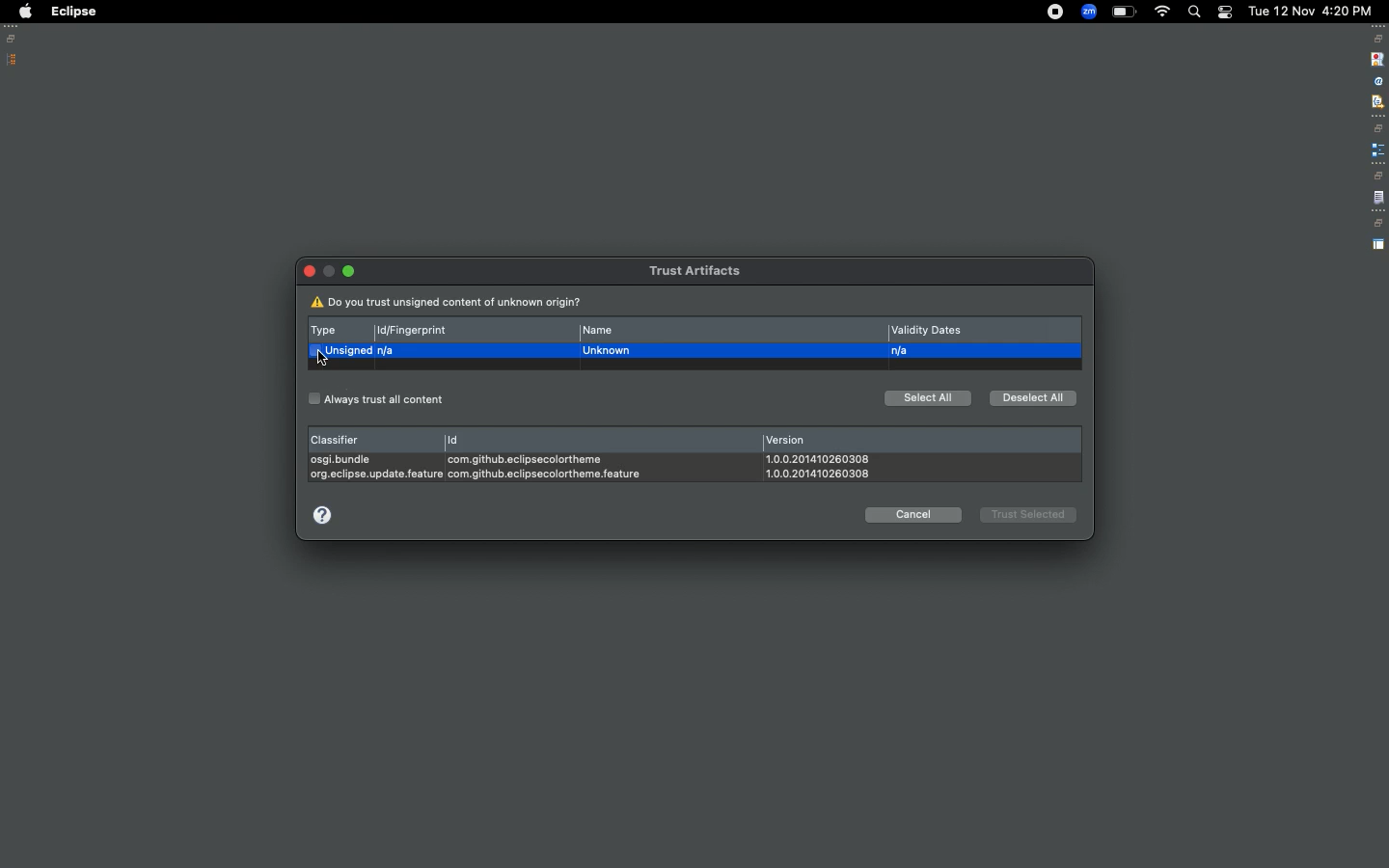 Image resolution: width=1389 pixels, height=868 pixels. Describe the element at coordinates (906, 351) in the screenshot. I see `n/a` at that location.